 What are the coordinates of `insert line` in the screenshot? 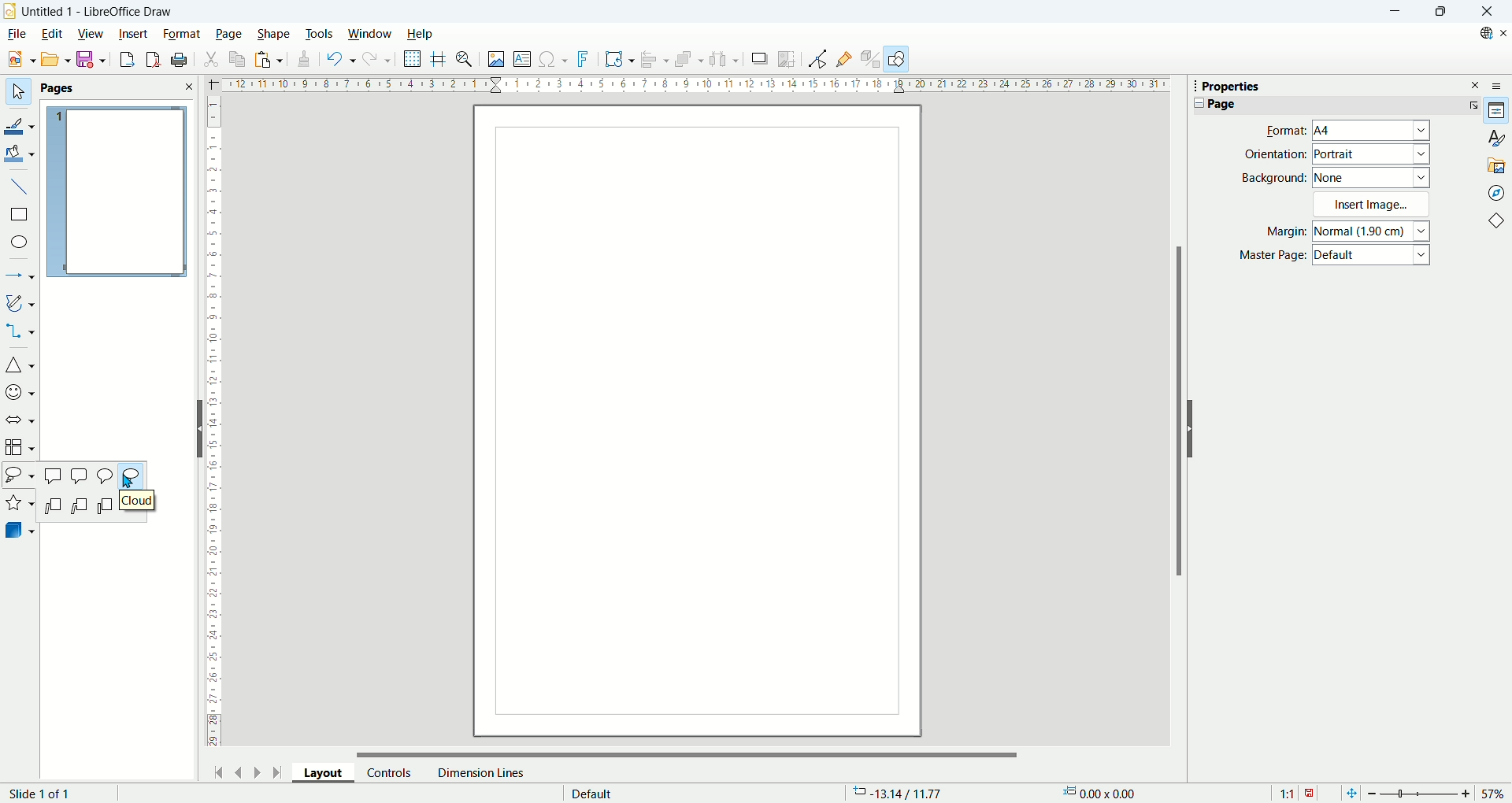 It's located at (19, 185).